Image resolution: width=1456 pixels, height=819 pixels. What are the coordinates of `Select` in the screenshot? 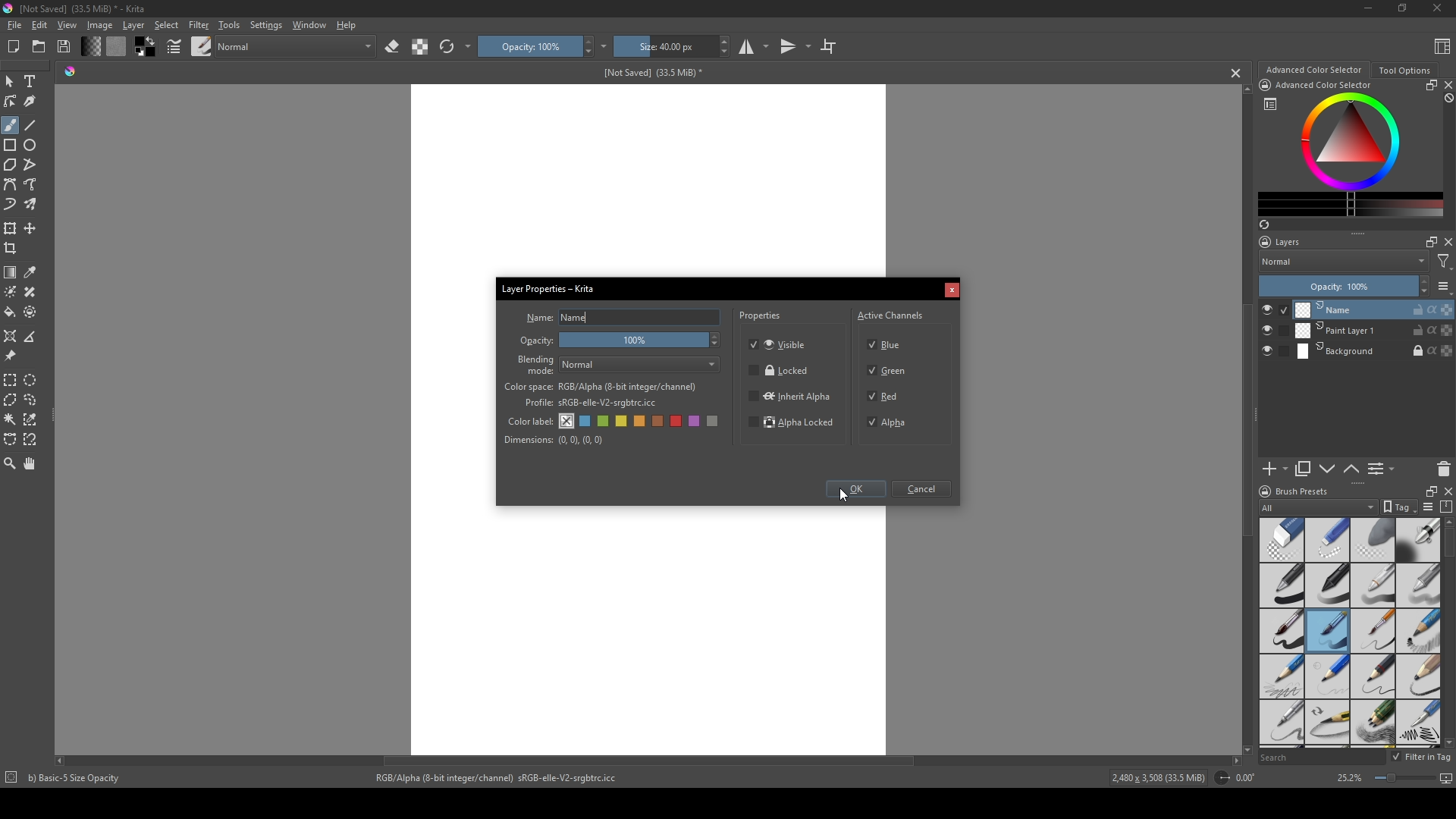 It's located at (167, 25).